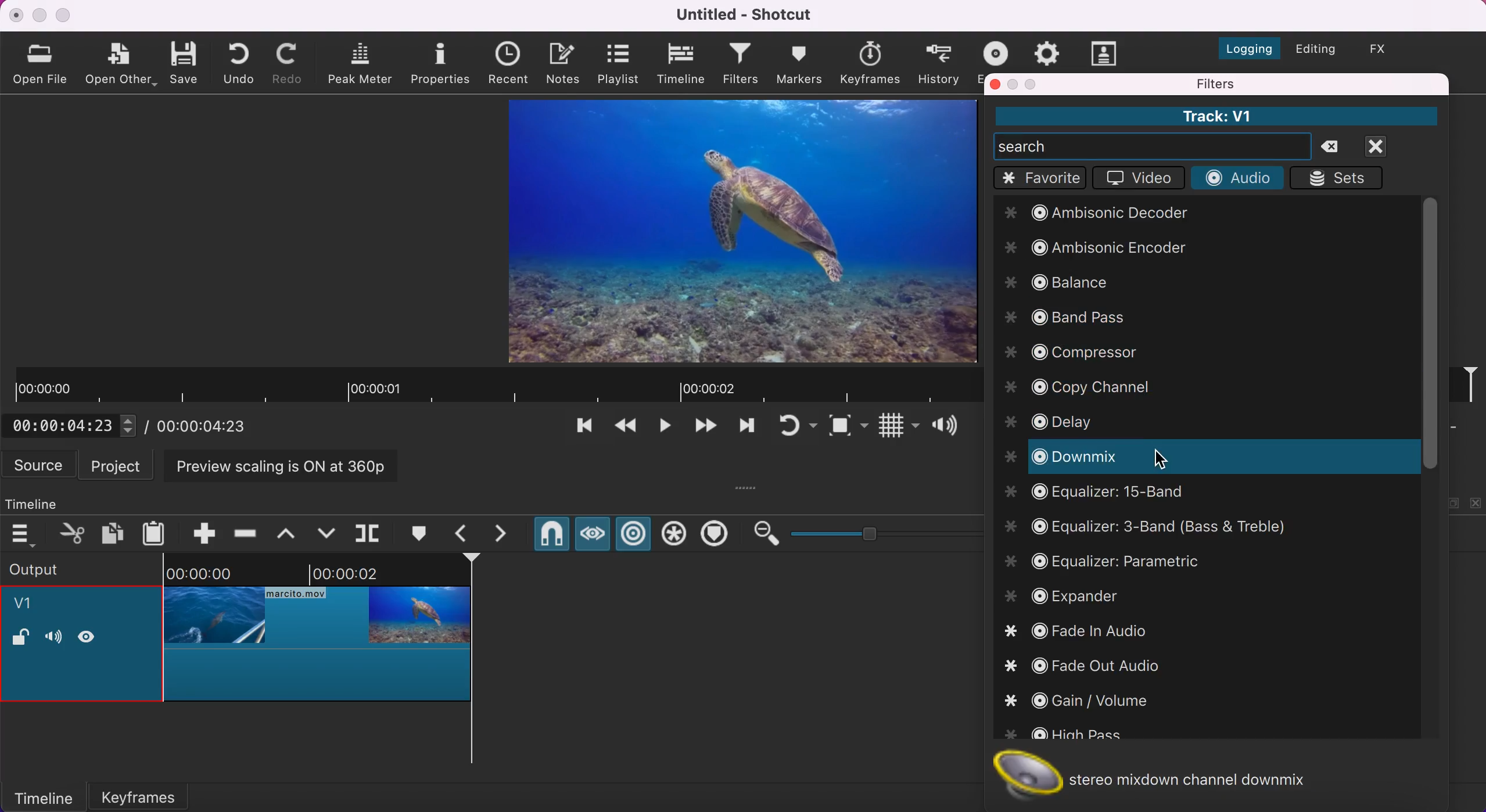  Describe the element at coordinates (1054, 286) in the screenshot. I see `balance` at that location.